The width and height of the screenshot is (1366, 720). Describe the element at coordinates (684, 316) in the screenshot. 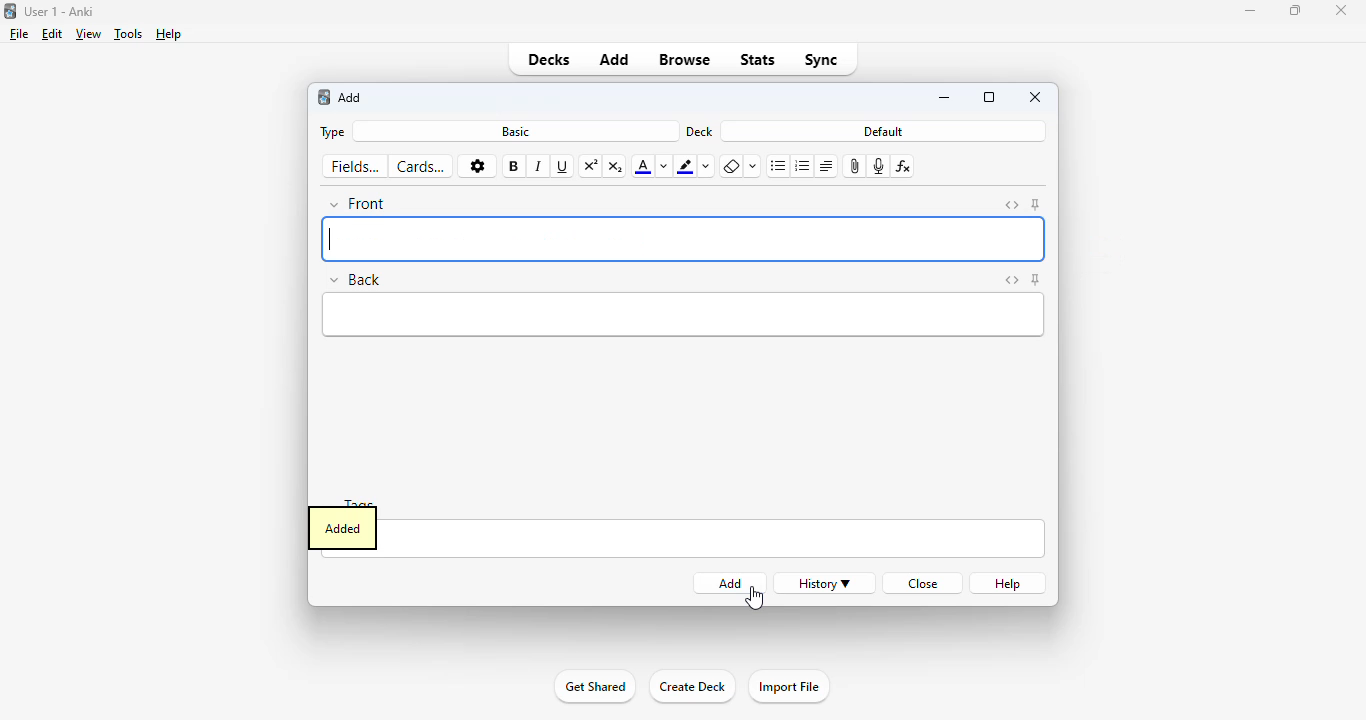

I see `insert back ` at that location.